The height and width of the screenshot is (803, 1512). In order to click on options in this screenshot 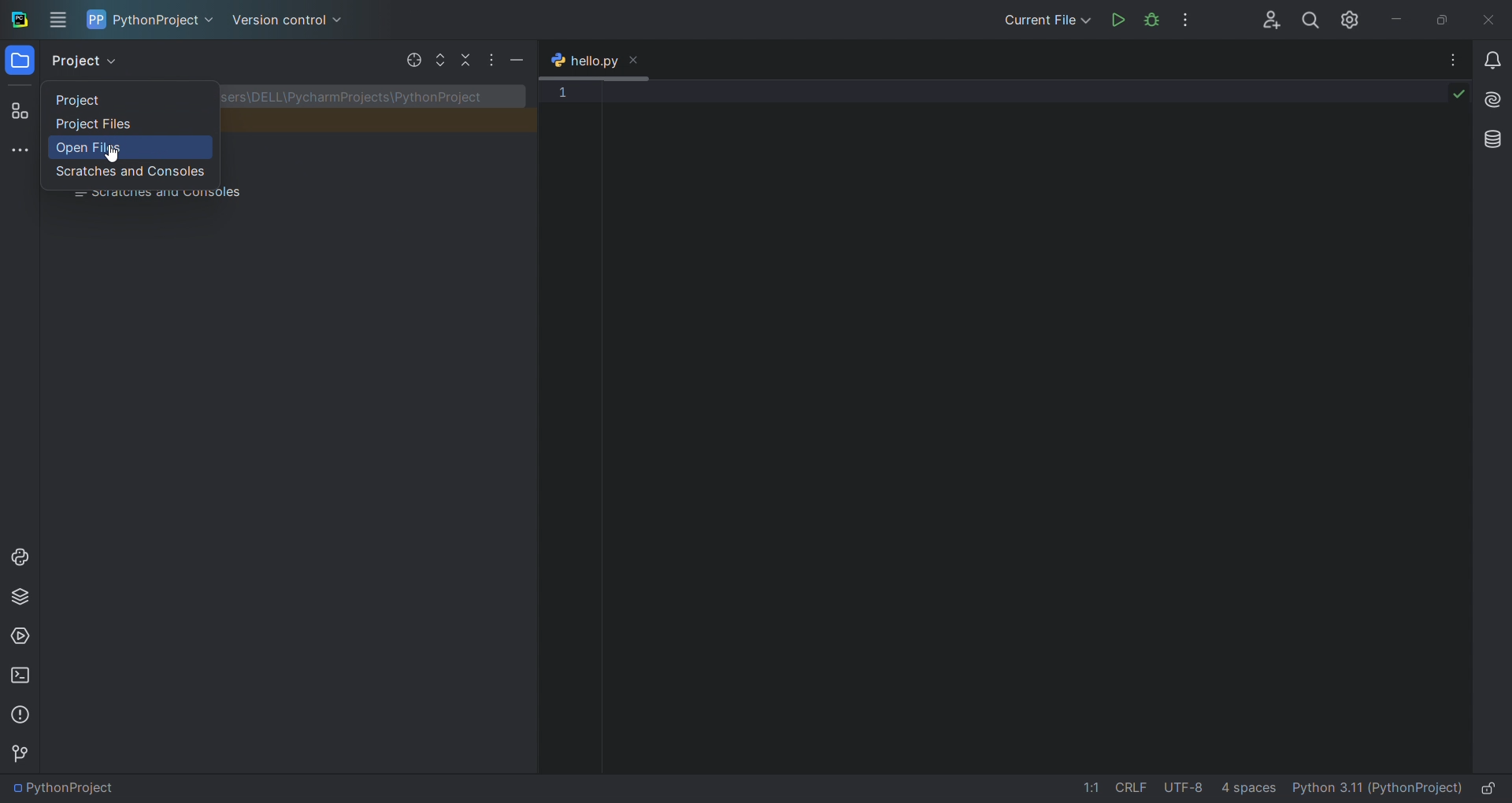, I will do `click(1454, 57)`.